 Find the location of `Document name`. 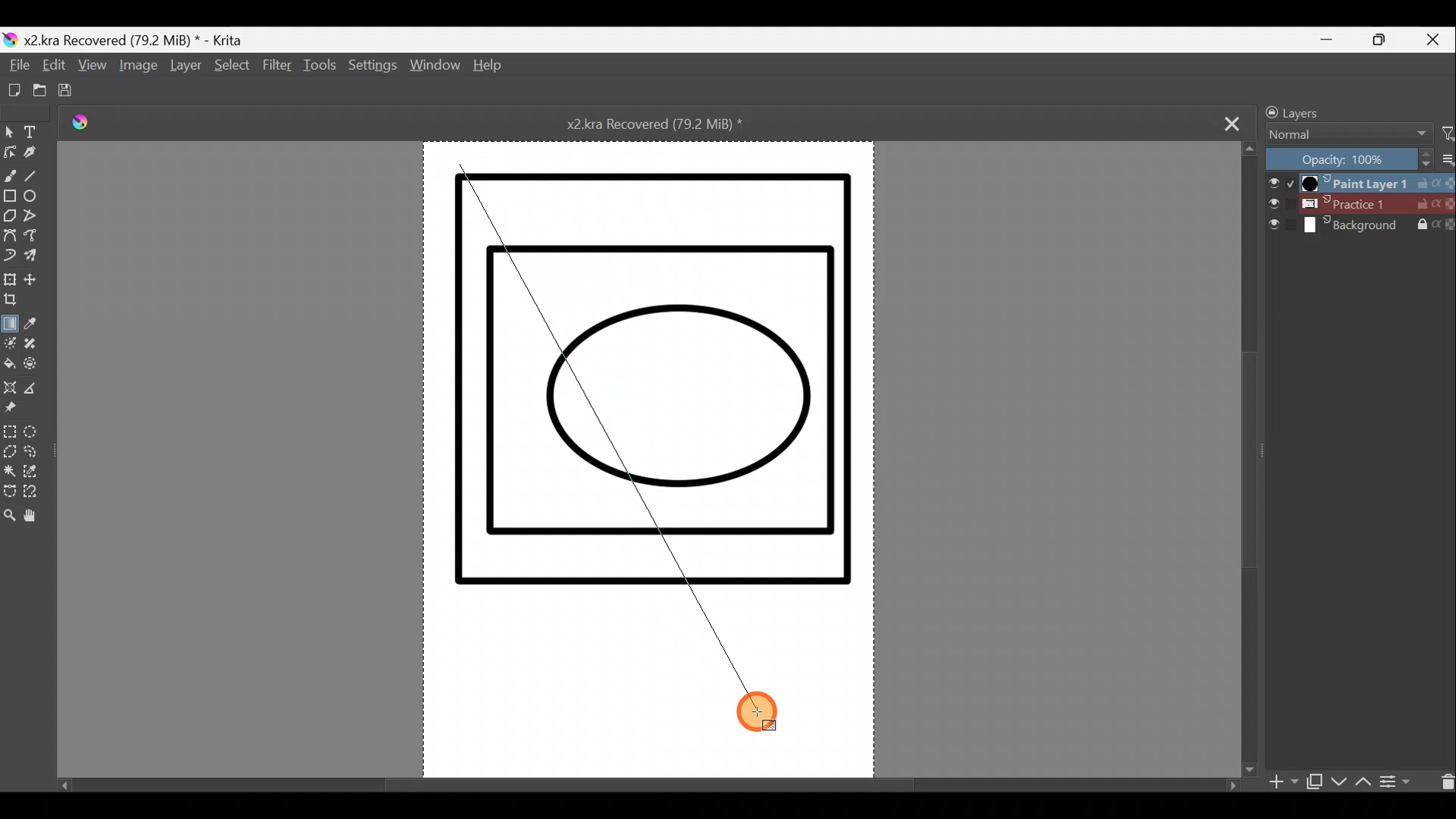

Document name is located at coordinates (670, 123).